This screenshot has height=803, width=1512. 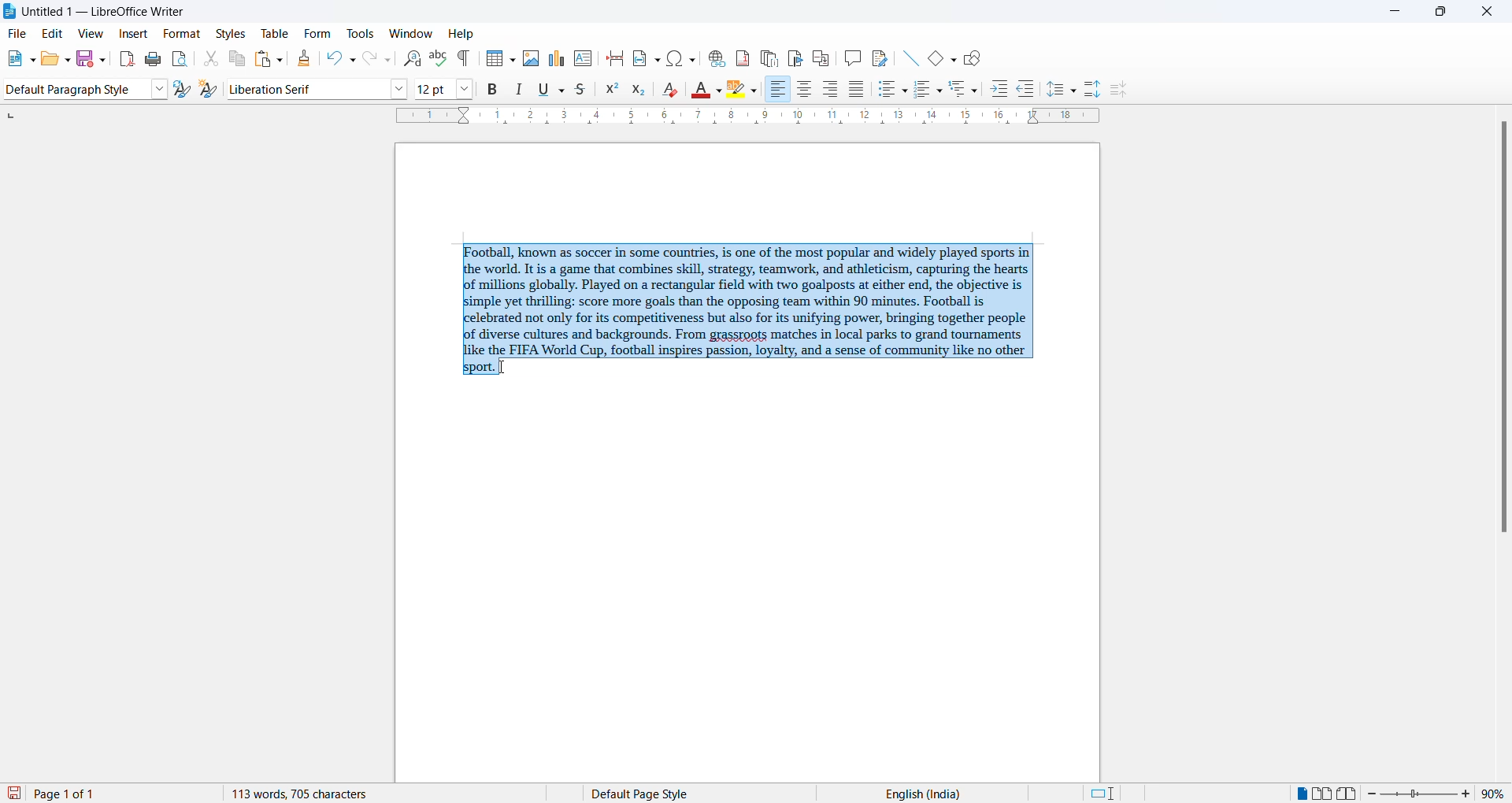 I want to click on insert bookmark, so click(x=797, y=58).